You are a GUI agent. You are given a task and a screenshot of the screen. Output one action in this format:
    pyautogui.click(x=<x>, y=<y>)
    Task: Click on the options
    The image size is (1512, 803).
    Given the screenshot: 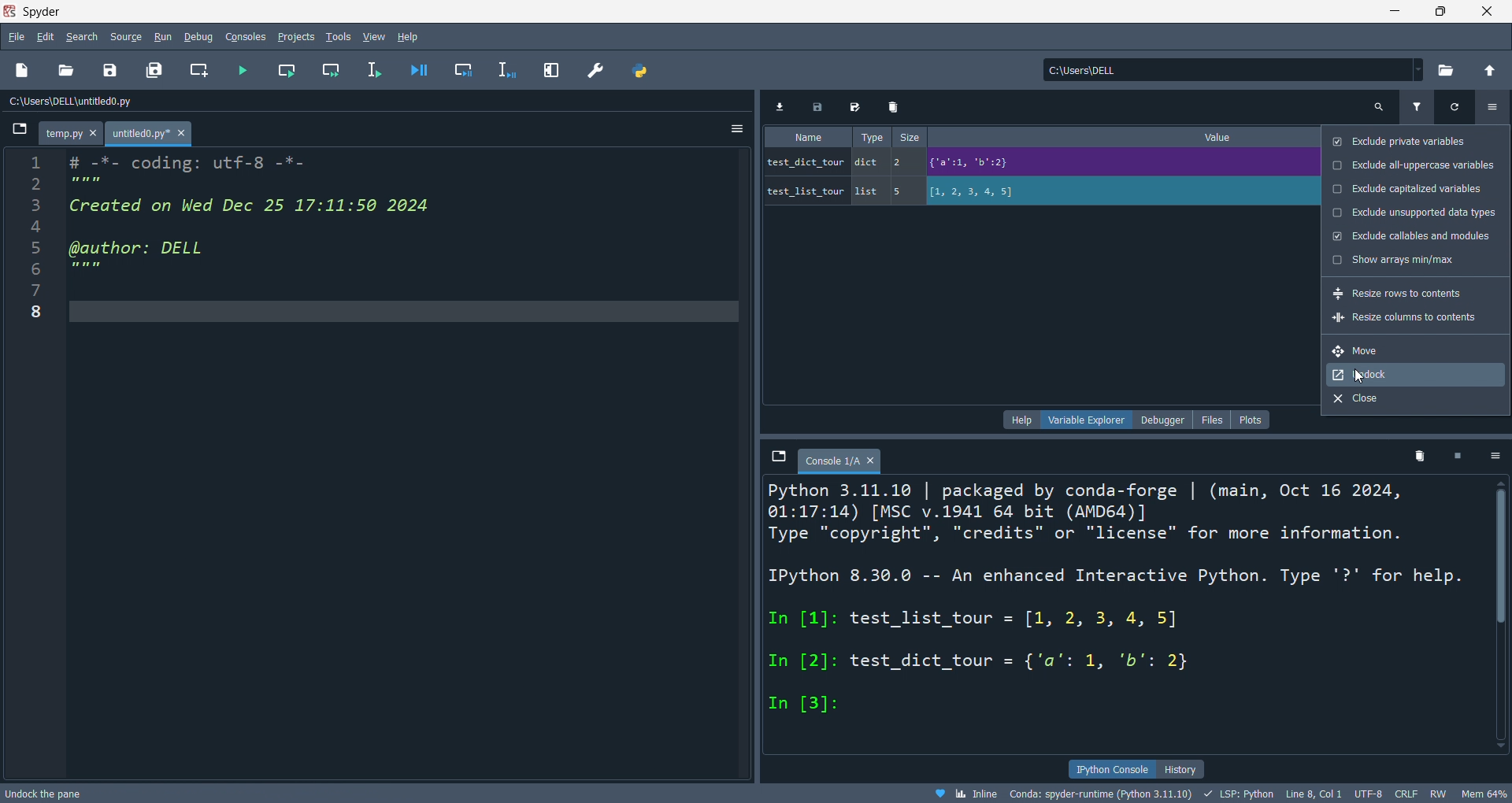 What is the action you would take?
    pyautogui.click(x=1494, y=455)
    